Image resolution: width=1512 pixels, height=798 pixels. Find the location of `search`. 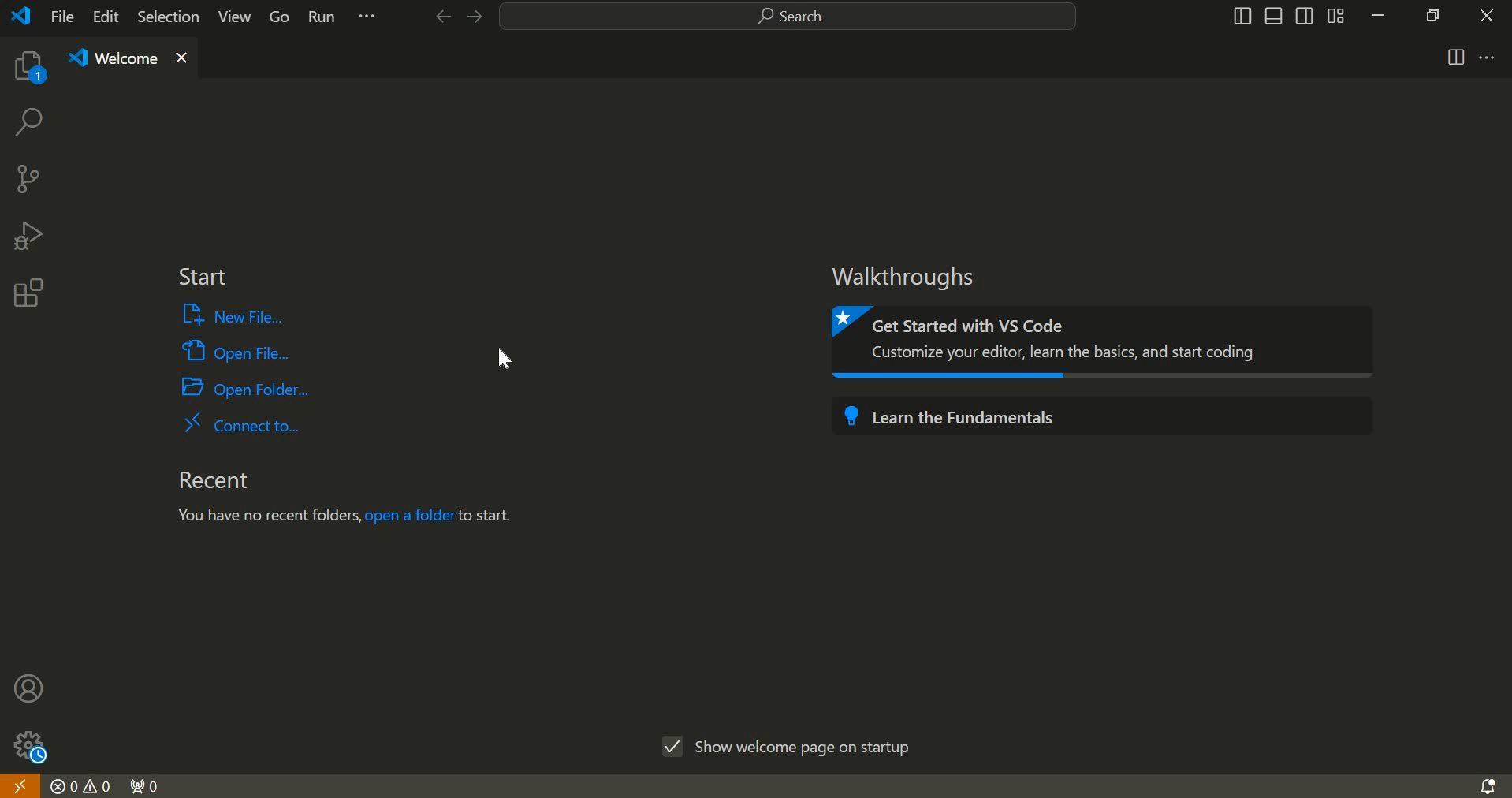

search is located at coordinates (28, 125).